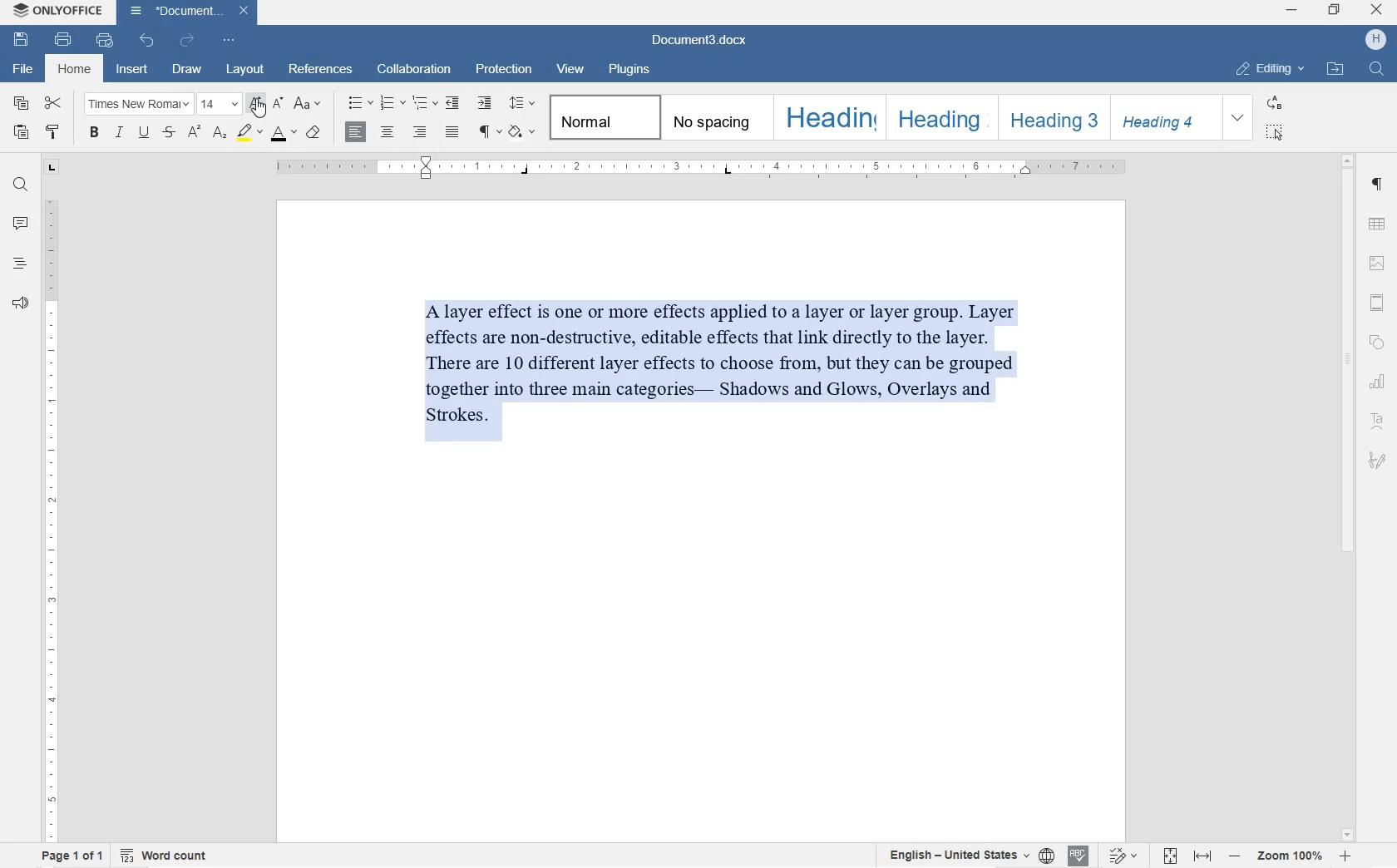 The image size is (1397, 868). What do you see at coordinates (1077, 856) in the screenshot?
I see `spell check` at bounding box center [1077, 856].